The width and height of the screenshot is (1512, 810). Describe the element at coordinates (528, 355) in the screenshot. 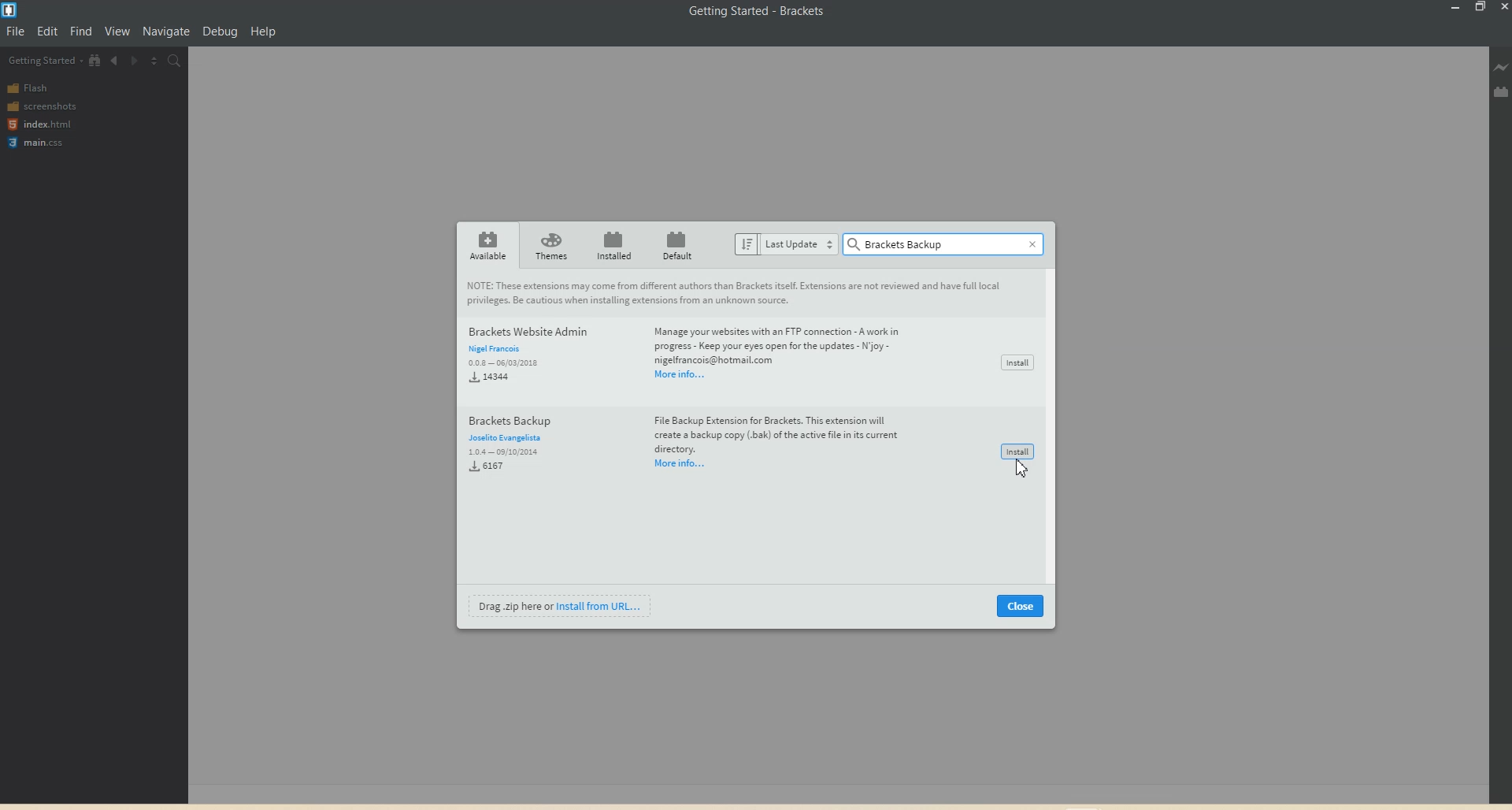

I see `Brackets Website Admin Nigel Francois 0.0.8 - 06/03/2018 14344` at that location.